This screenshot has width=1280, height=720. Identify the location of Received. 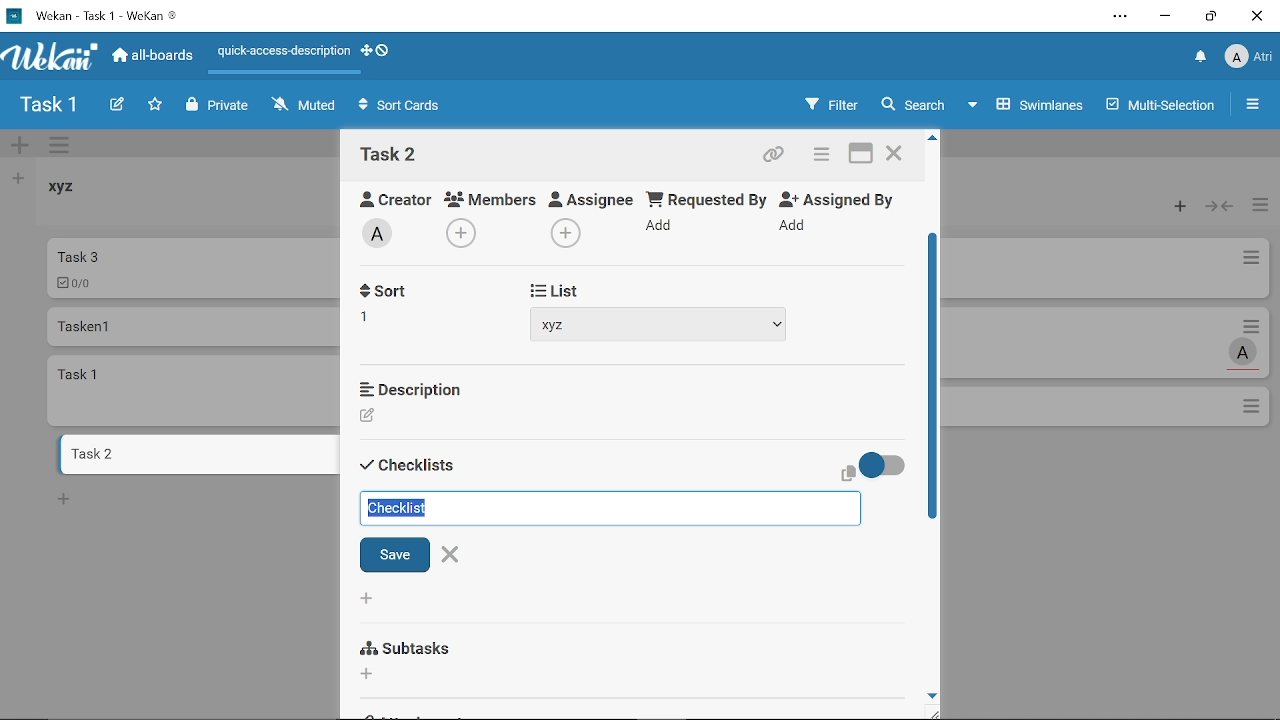
(405, 293).